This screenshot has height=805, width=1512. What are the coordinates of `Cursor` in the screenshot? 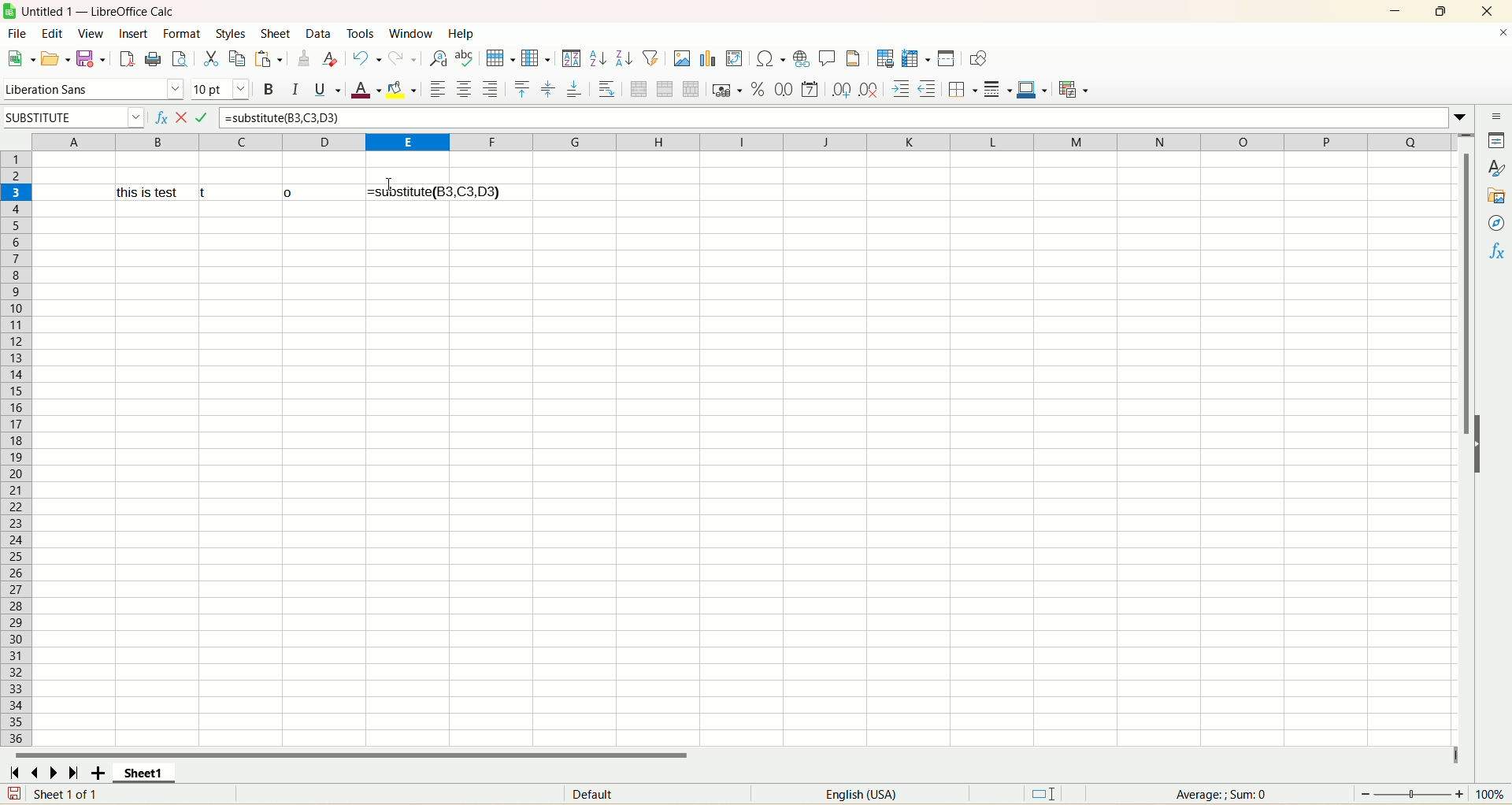 It's located at (398, 192).